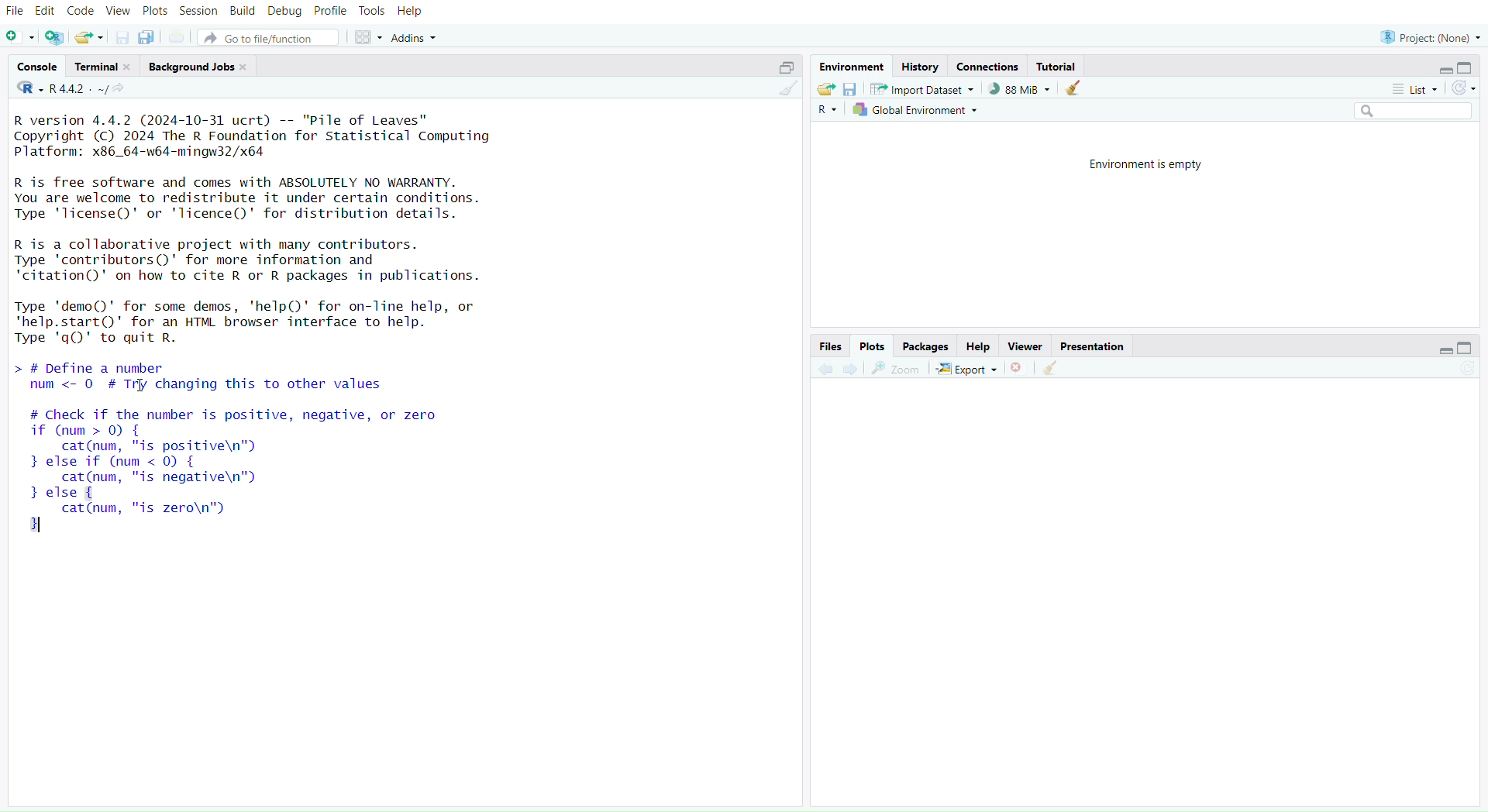 Image resolution: width=1488 pixels, height=812 pixels. Describe the element at coordinates (1140, 163) in the screenshot. I see `environment is empty` at that location.